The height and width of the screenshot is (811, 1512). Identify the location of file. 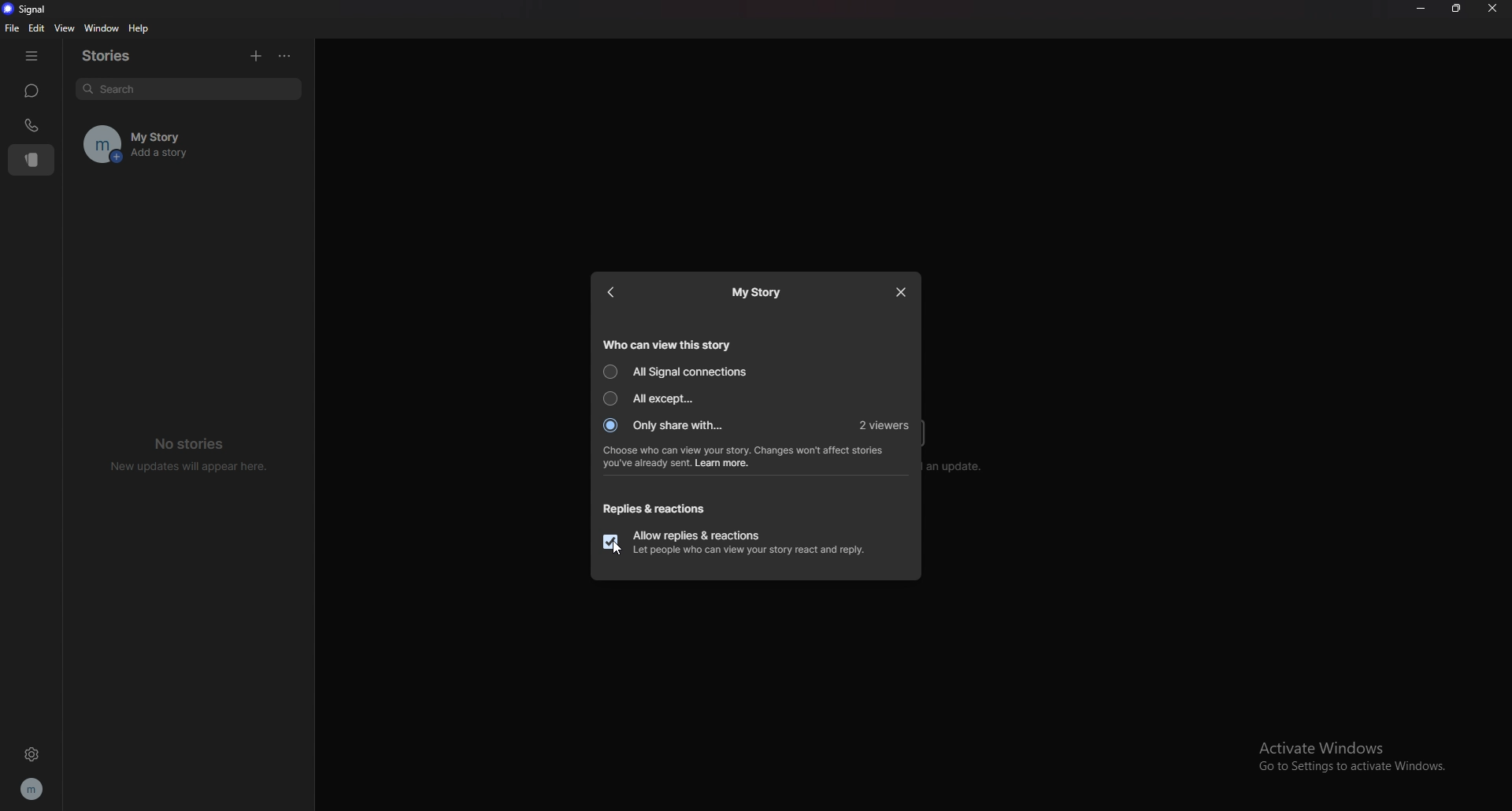
(11, 28).